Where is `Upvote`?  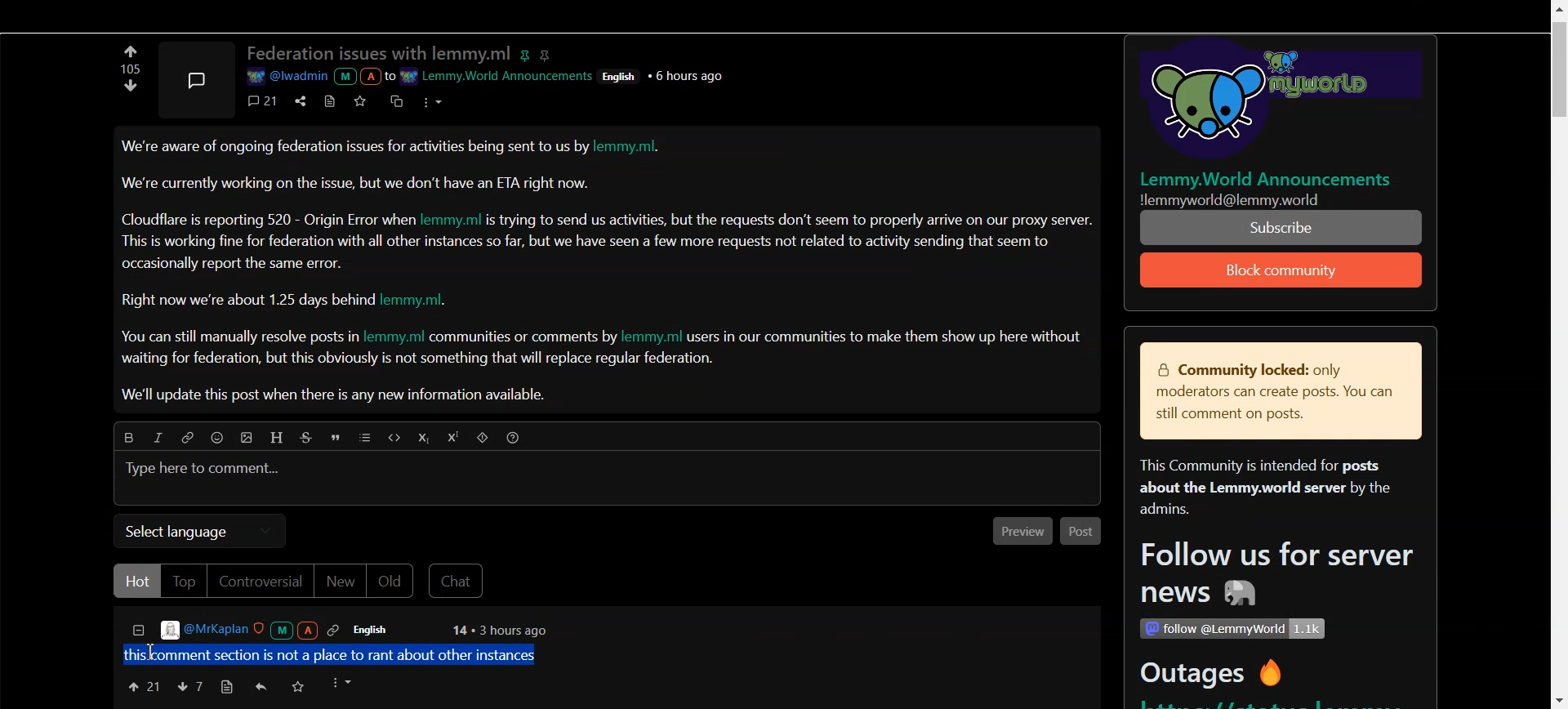
Upvote is located at coordinates (143, 685).